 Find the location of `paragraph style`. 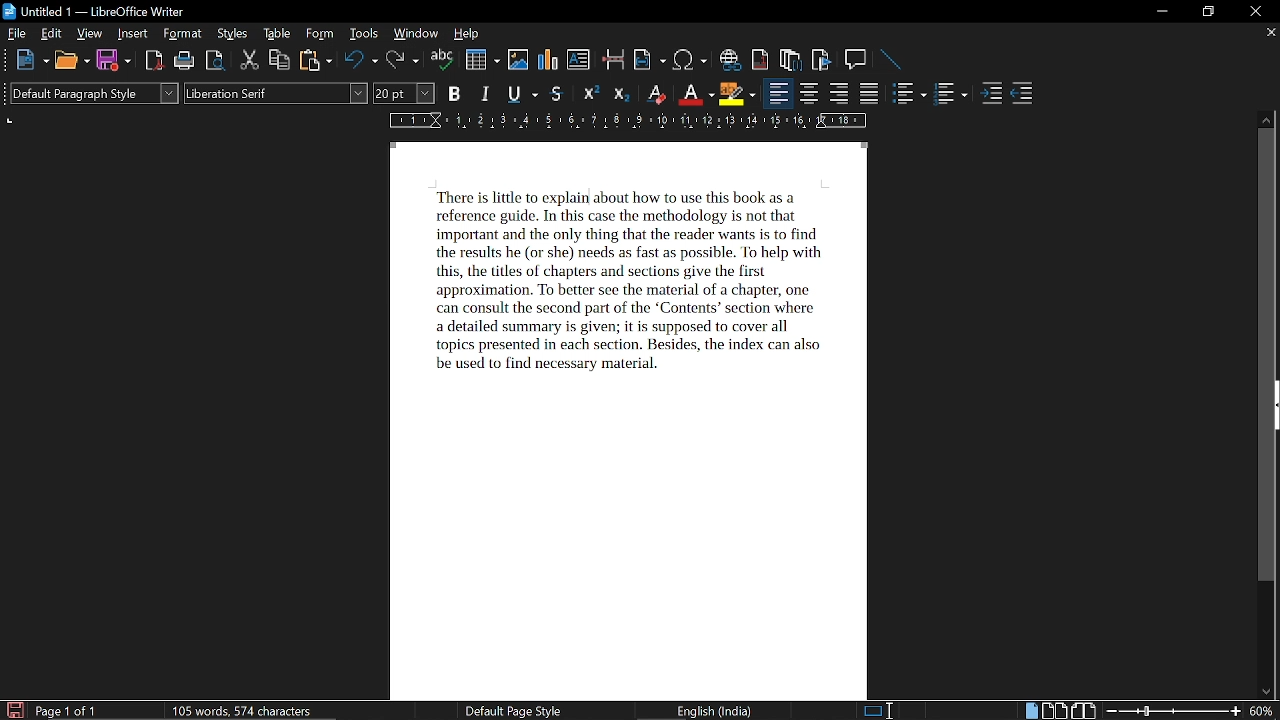

paragraph style is located at coordinates (98, 95).